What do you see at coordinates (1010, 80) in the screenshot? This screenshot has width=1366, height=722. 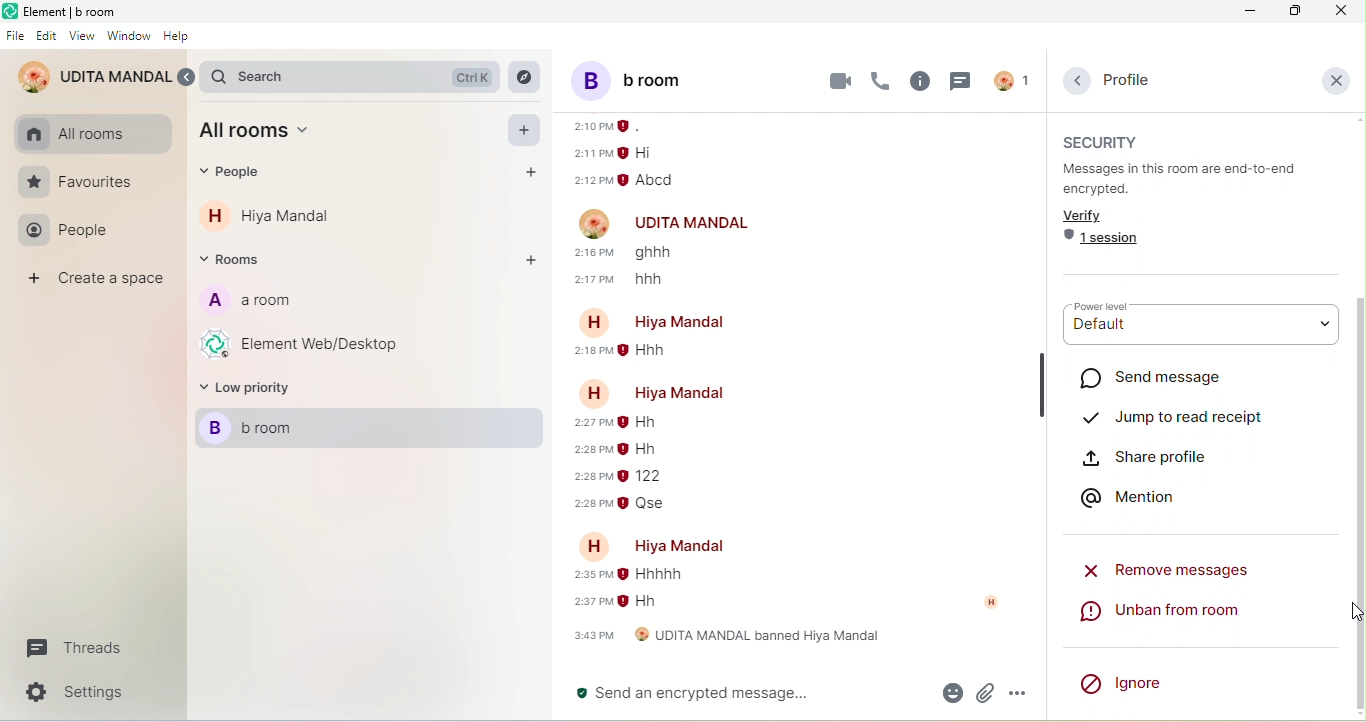 I see `account` at bounding box center [1010, 80].